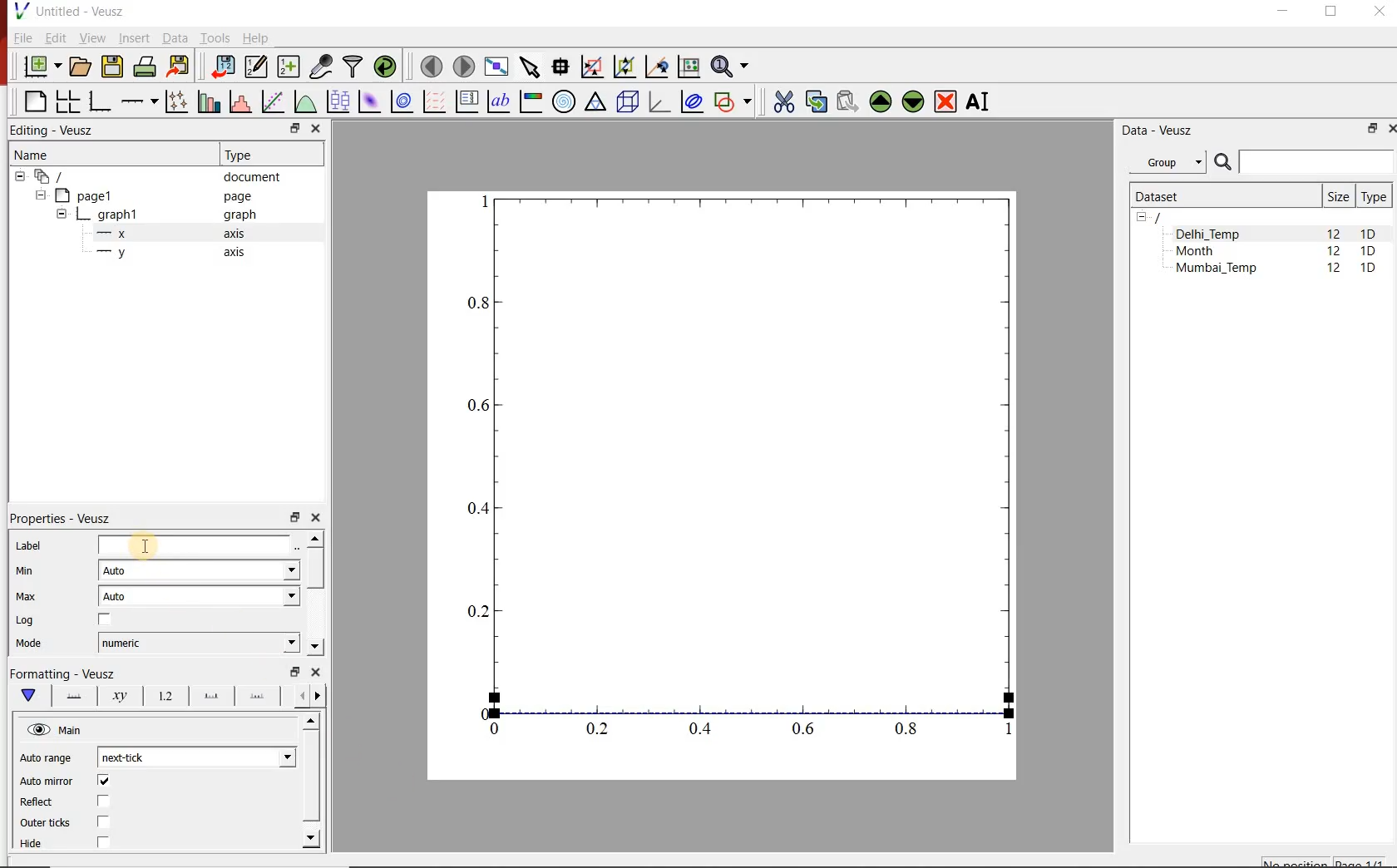 Image resolution: width=1397 pixels, height=868 pixels. Describe the element at coordinates (297, 671) in the screenshot. I see `restore` at that location.